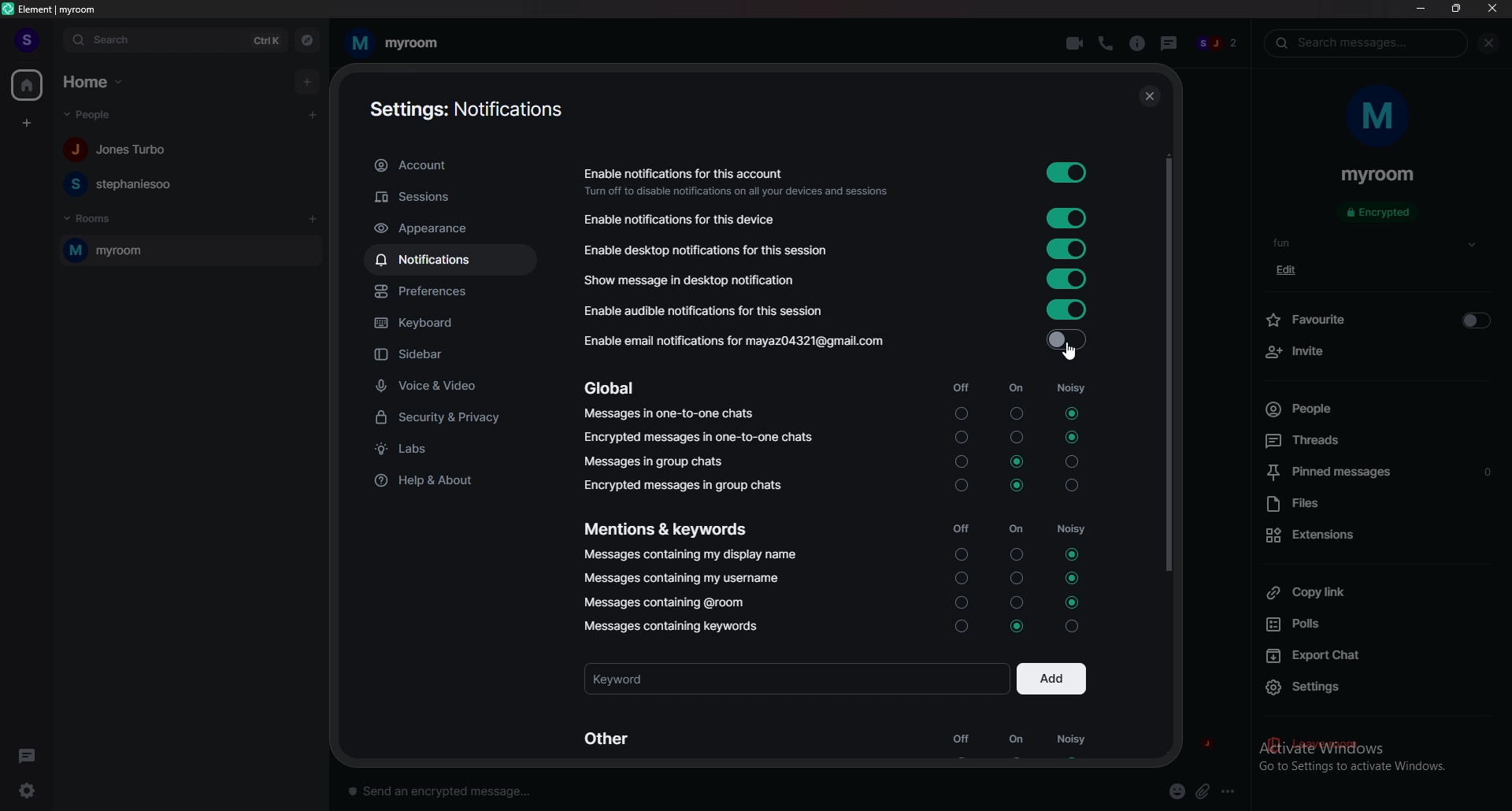 Image resolution: width=1512 pixels, height=811 pixels. Describe the element at coordinates (447, 789) in the screenshot. I see `message box` at that location.